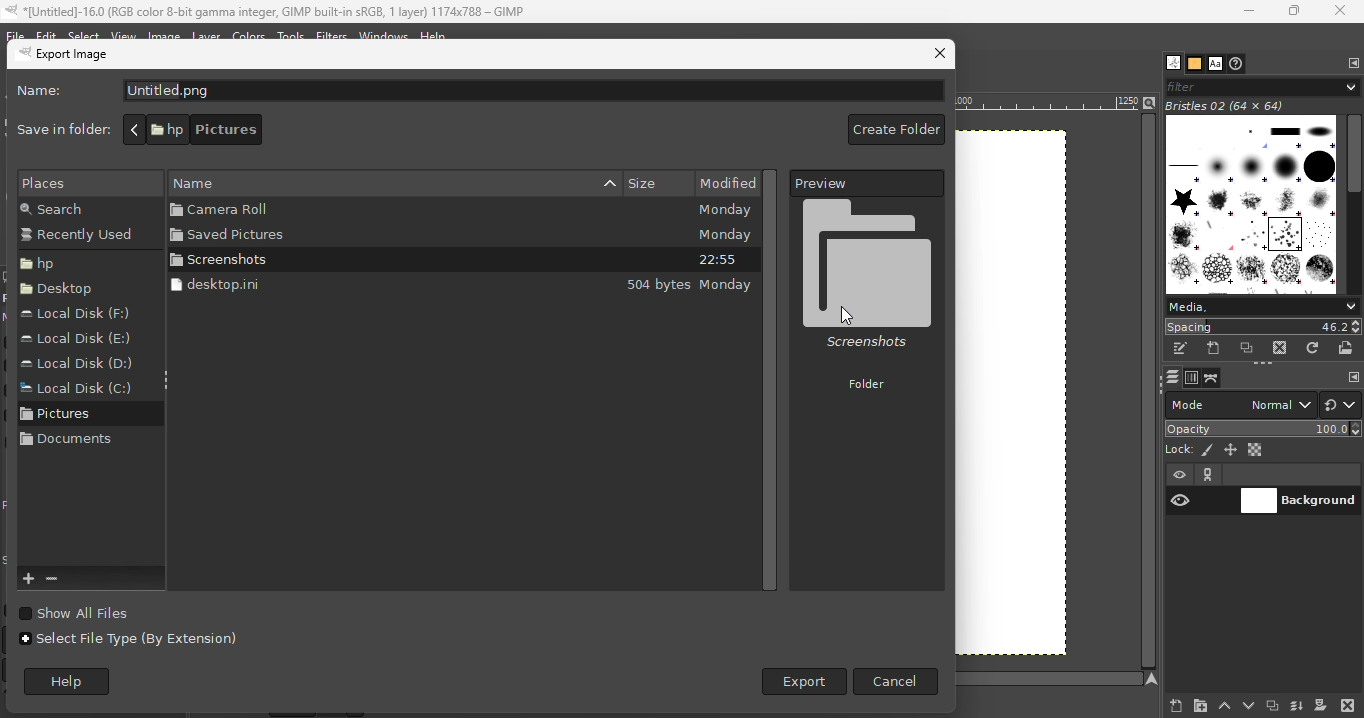 The image size is (1364, 718). I want to click on Local dsk (C:), so click(75, 390).